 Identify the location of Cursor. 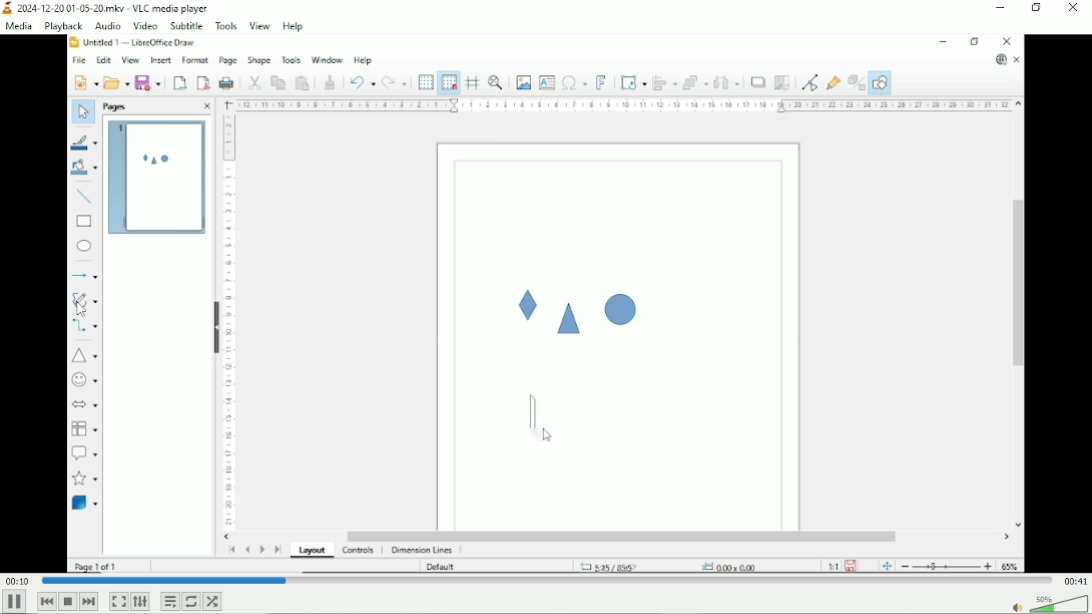
(81, 309).